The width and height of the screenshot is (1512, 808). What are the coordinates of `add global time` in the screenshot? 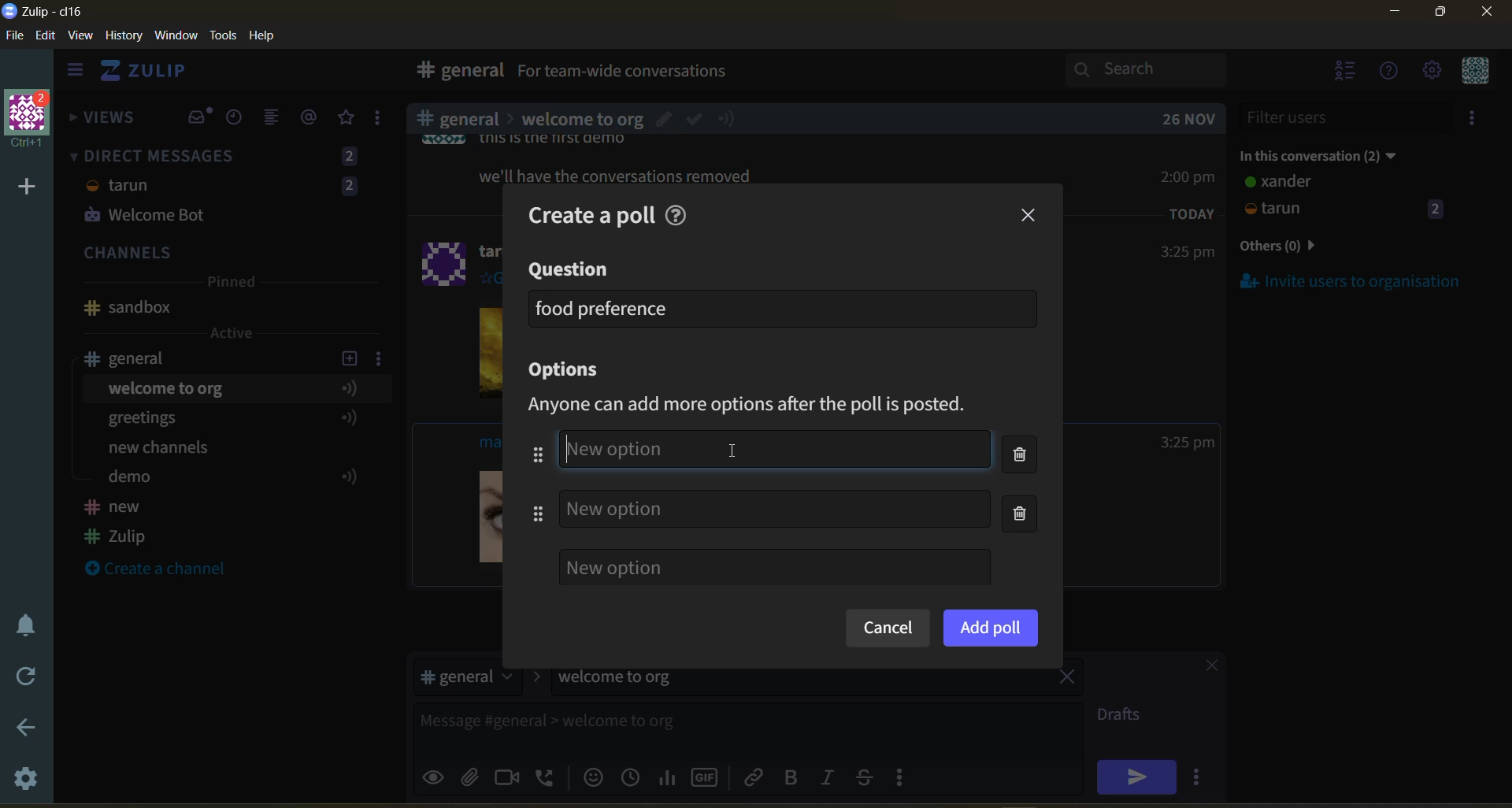 It's located at (634, 776).